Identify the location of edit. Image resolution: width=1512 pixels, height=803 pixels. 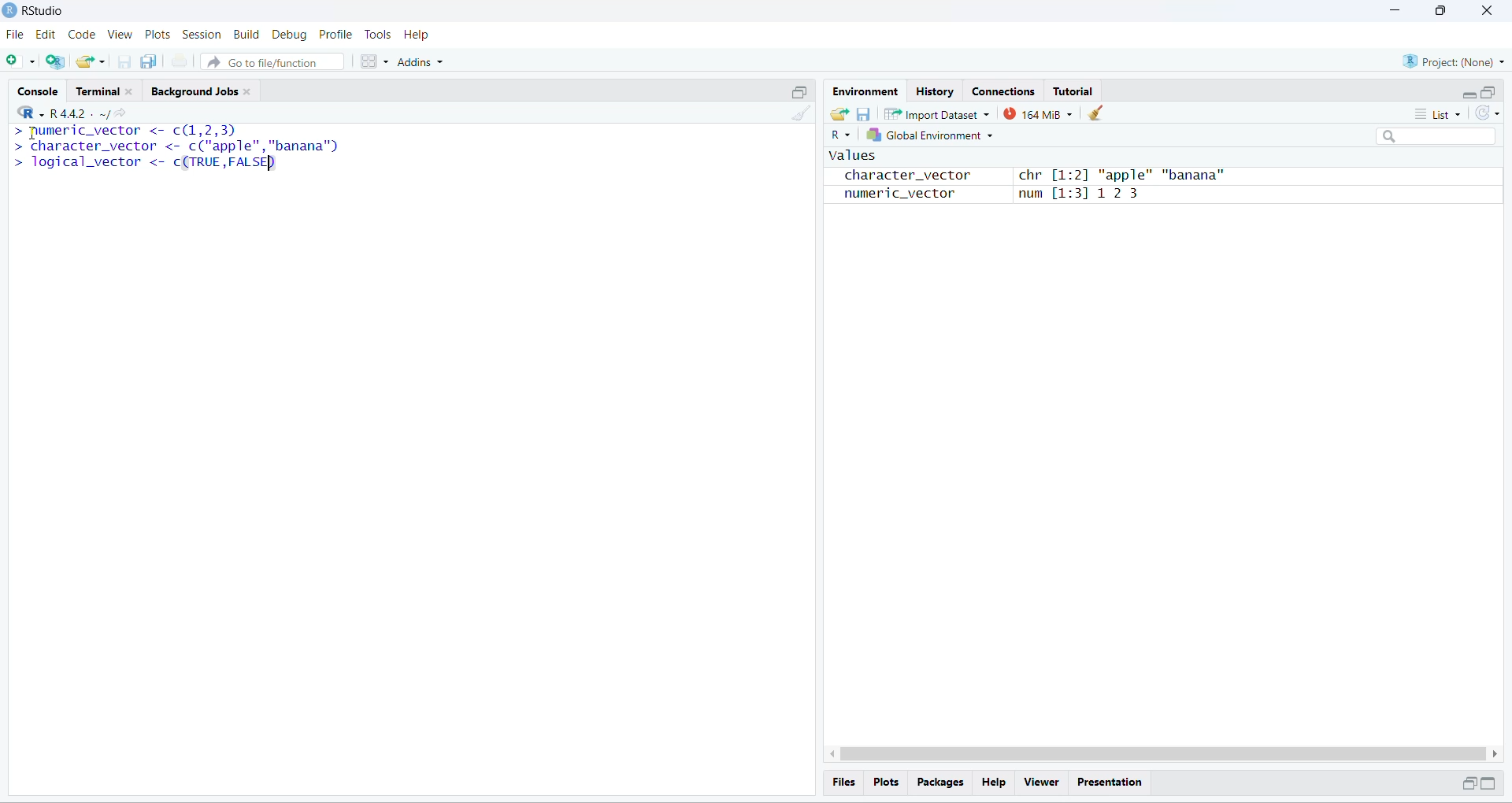
(45, 35).